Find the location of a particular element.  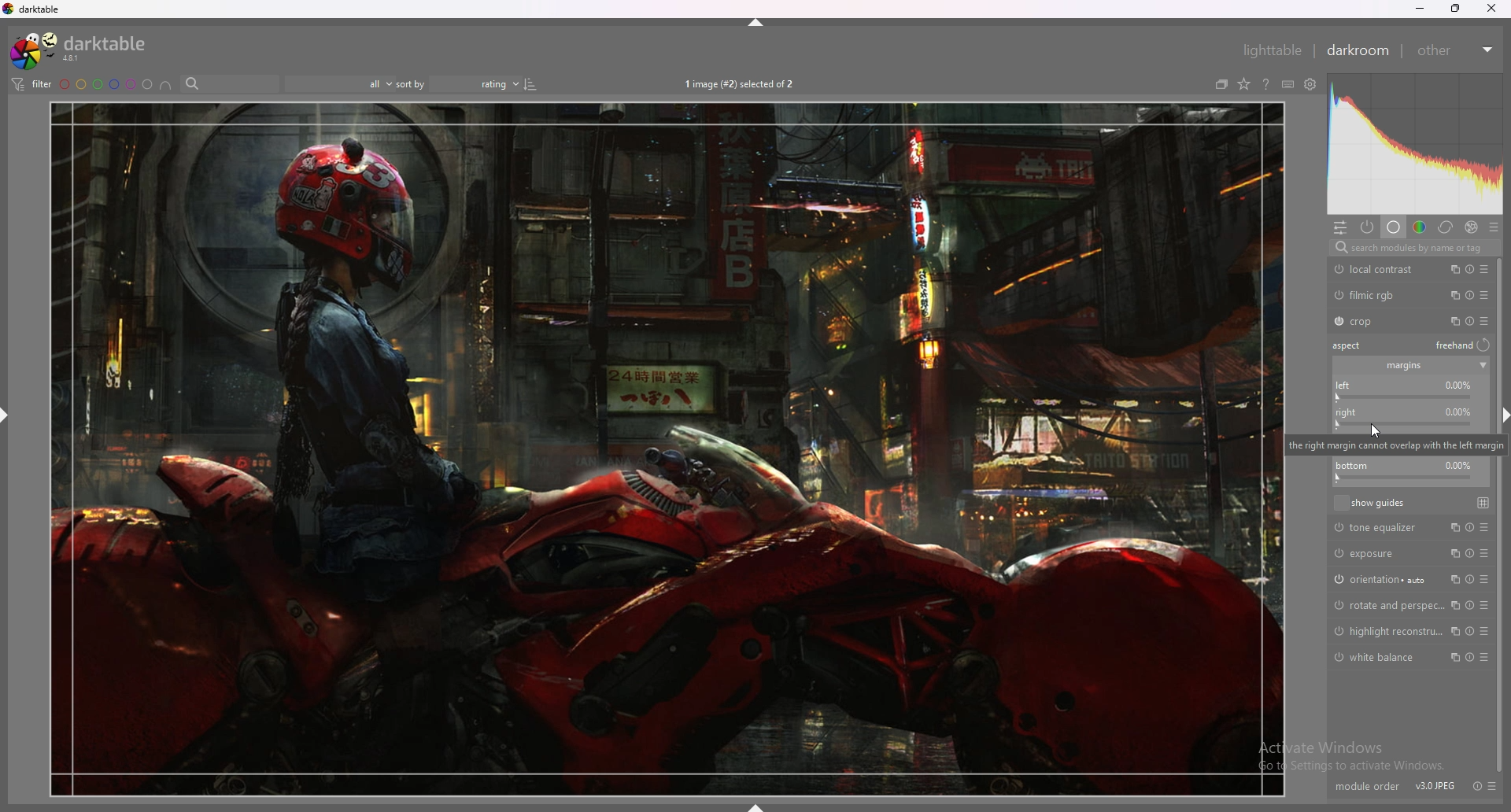

guide is located at coordinates (1484, 502).